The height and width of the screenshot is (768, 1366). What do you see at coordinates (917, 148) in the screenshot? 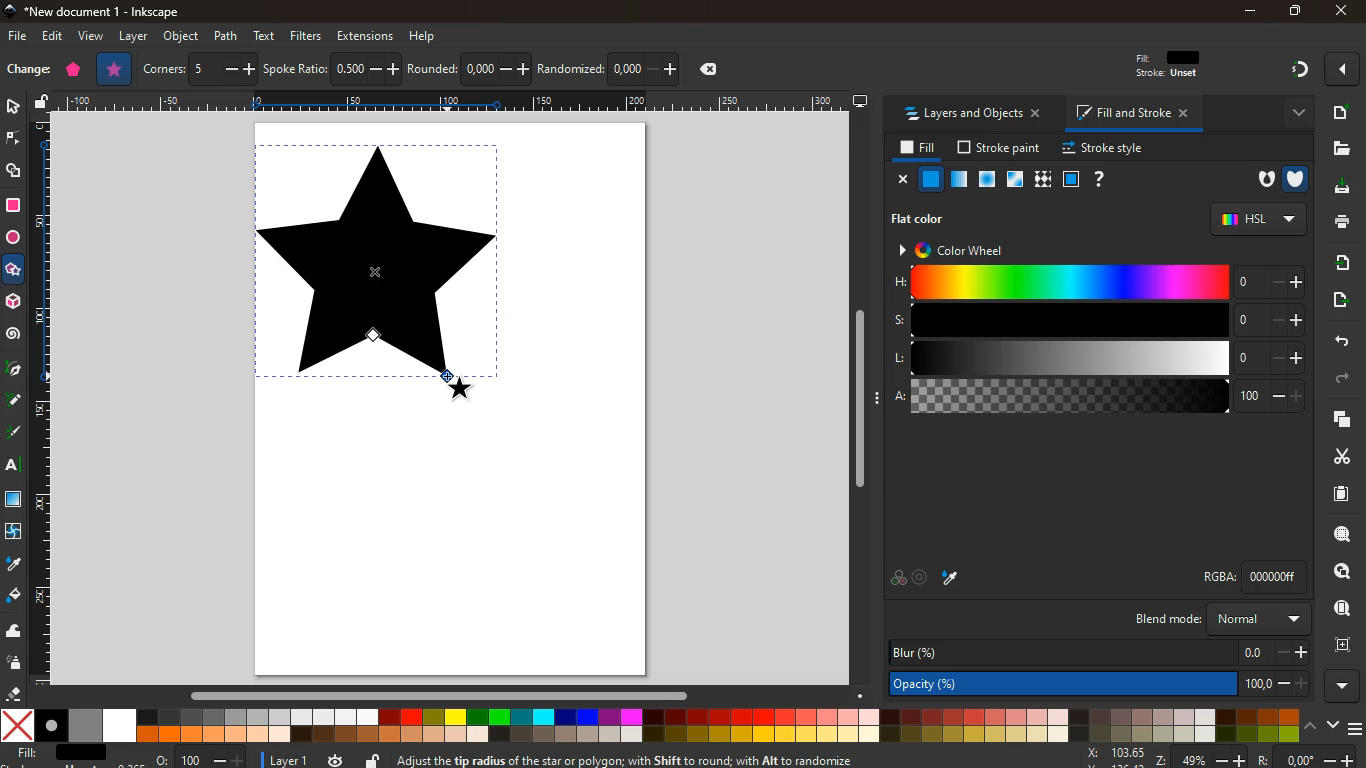
I see `fill` at bounding box center [917, 148].